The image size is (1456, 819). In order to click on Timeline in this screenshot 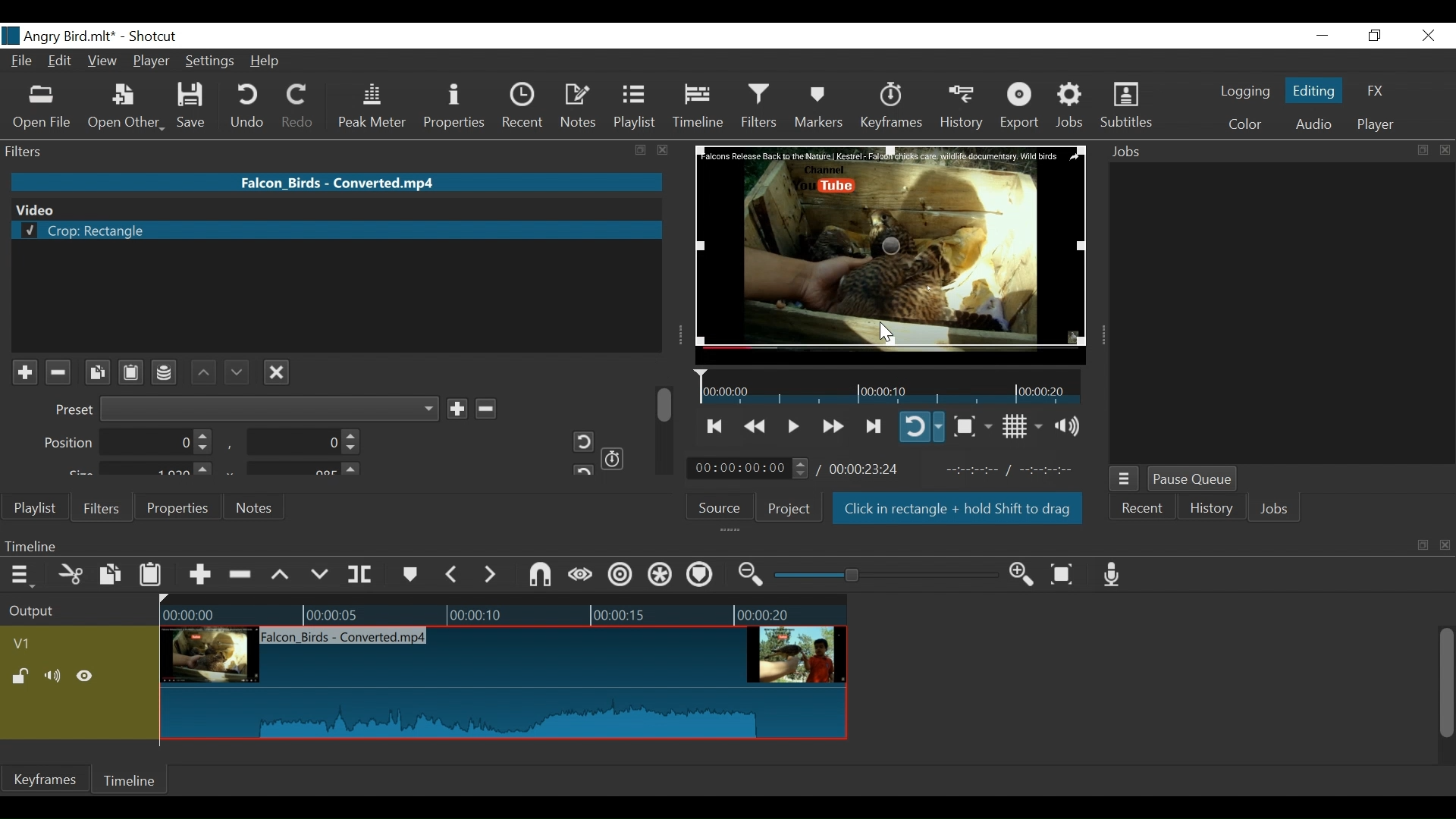, I will do `click(503, 611)`.